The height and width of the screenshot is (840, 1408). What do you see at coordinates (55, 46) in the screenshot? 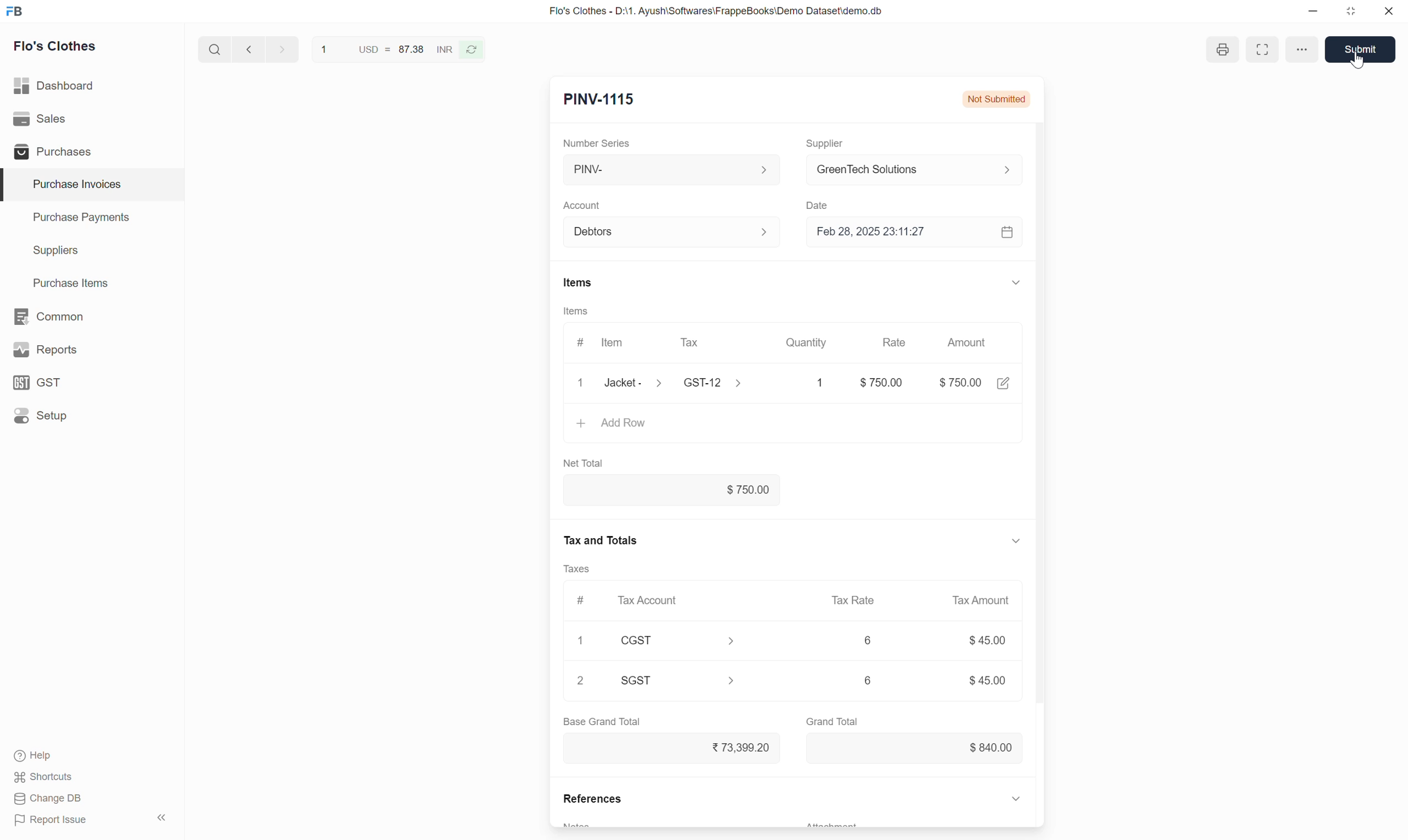
I see `Flo's Clothes` at bounding box center [55, 46].